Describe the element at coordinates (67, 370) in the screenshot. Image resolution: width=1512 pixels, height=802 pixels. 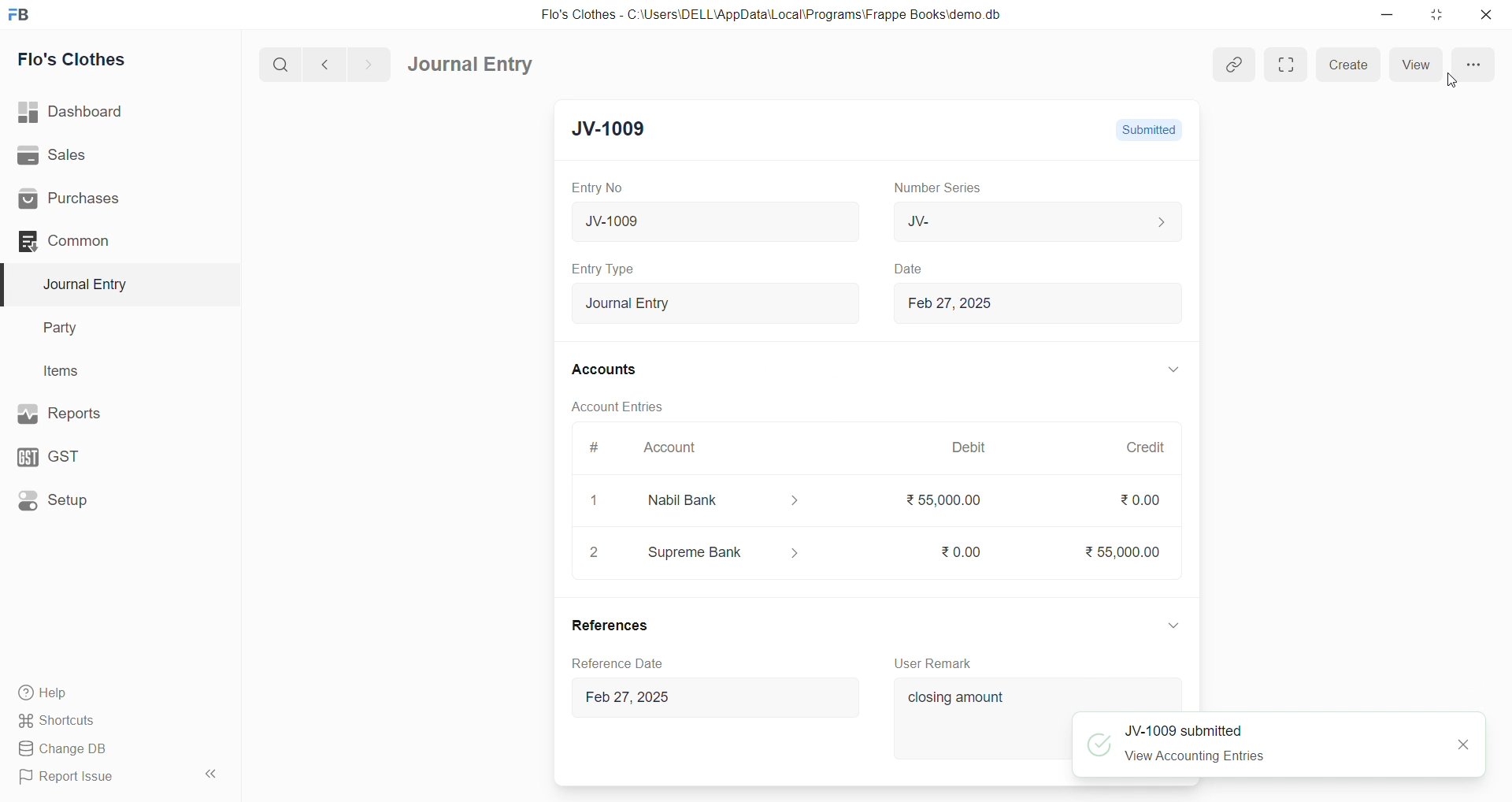
I see `Items` at that location.